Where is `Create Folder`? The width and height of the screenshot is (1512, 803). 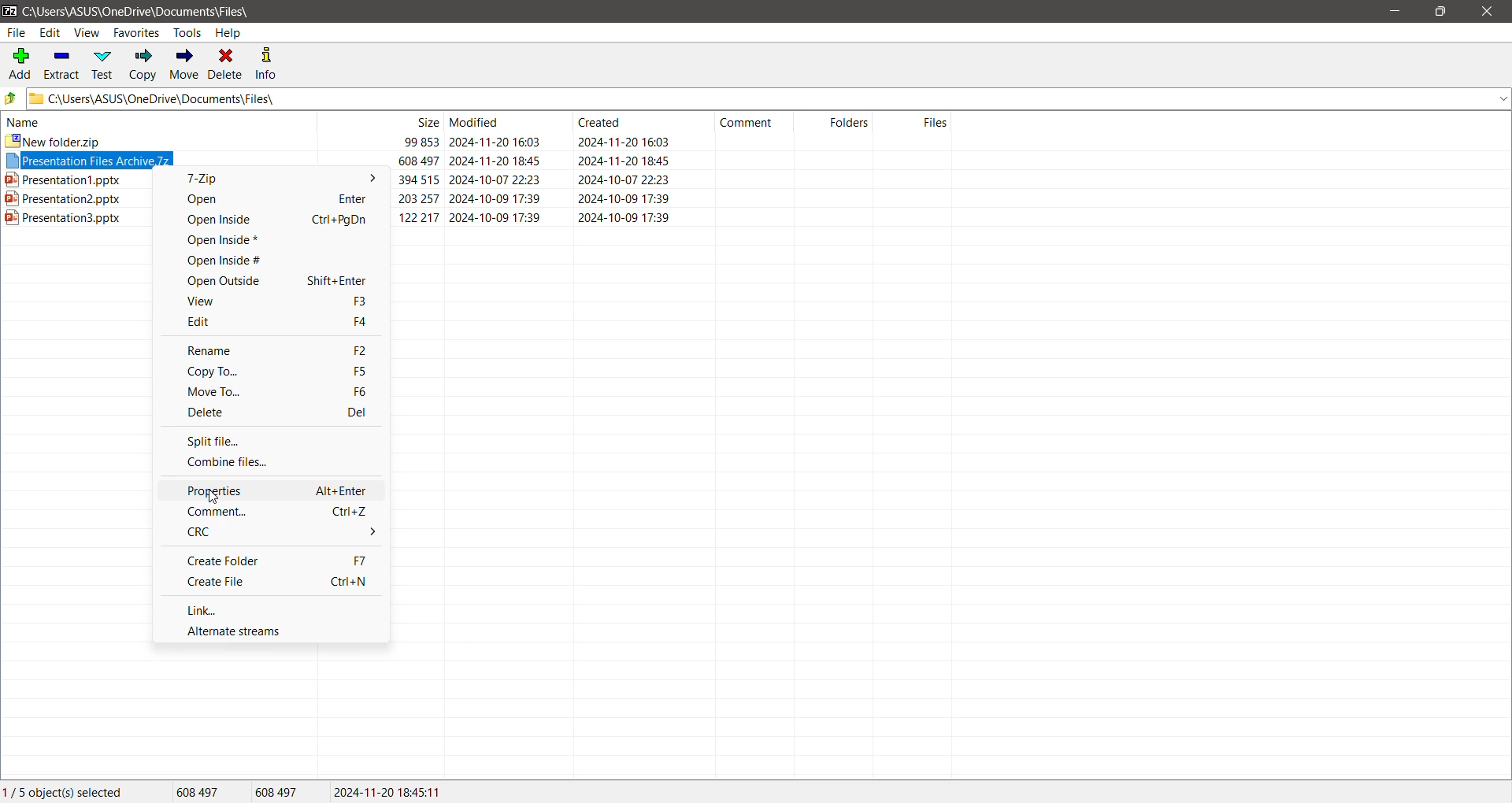
Create Folder is located at coordinates (223, 561).